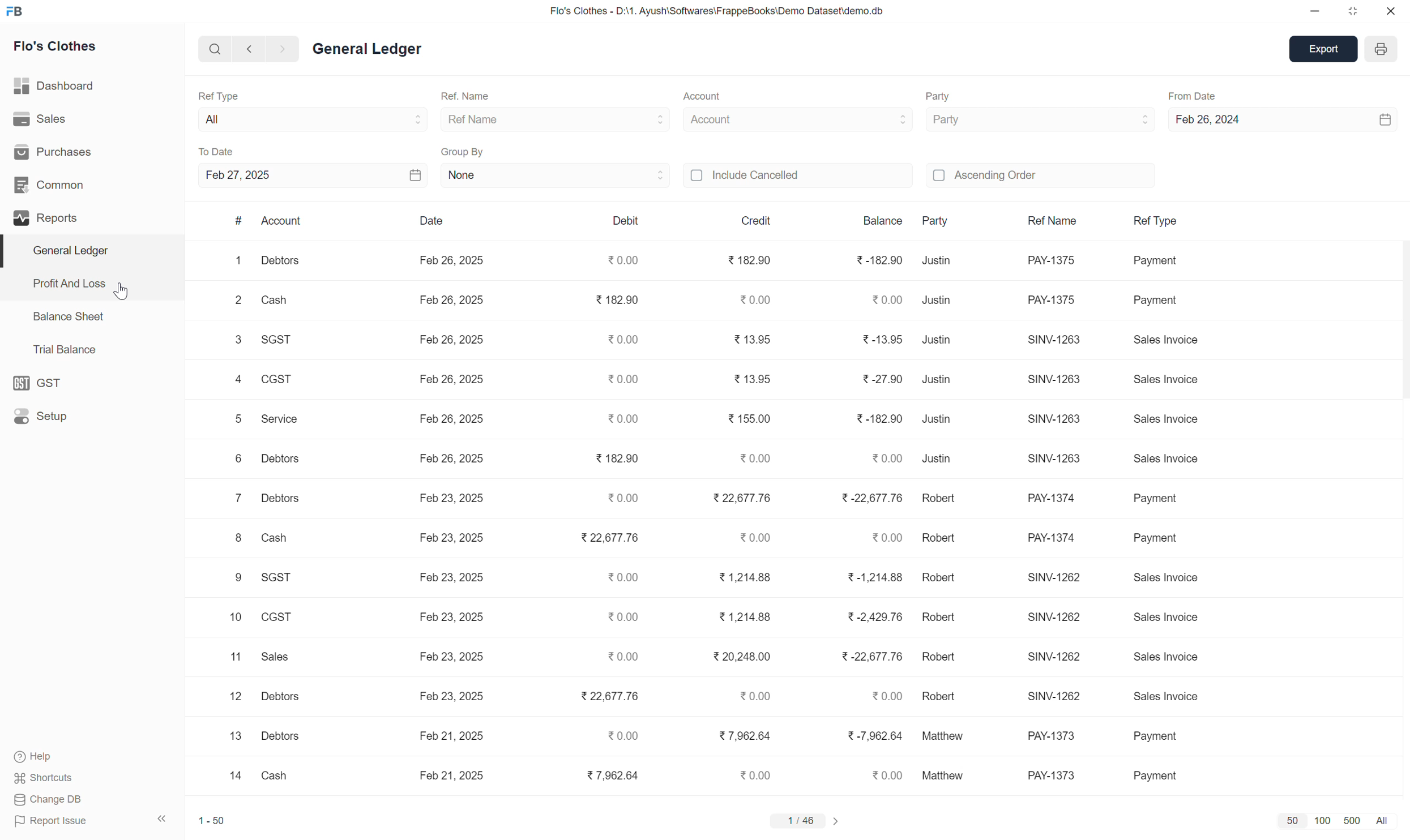  What do you see at coordinates (382, 174) in the screenshot?
I see `Calendar` at bounding box center [382, 174].